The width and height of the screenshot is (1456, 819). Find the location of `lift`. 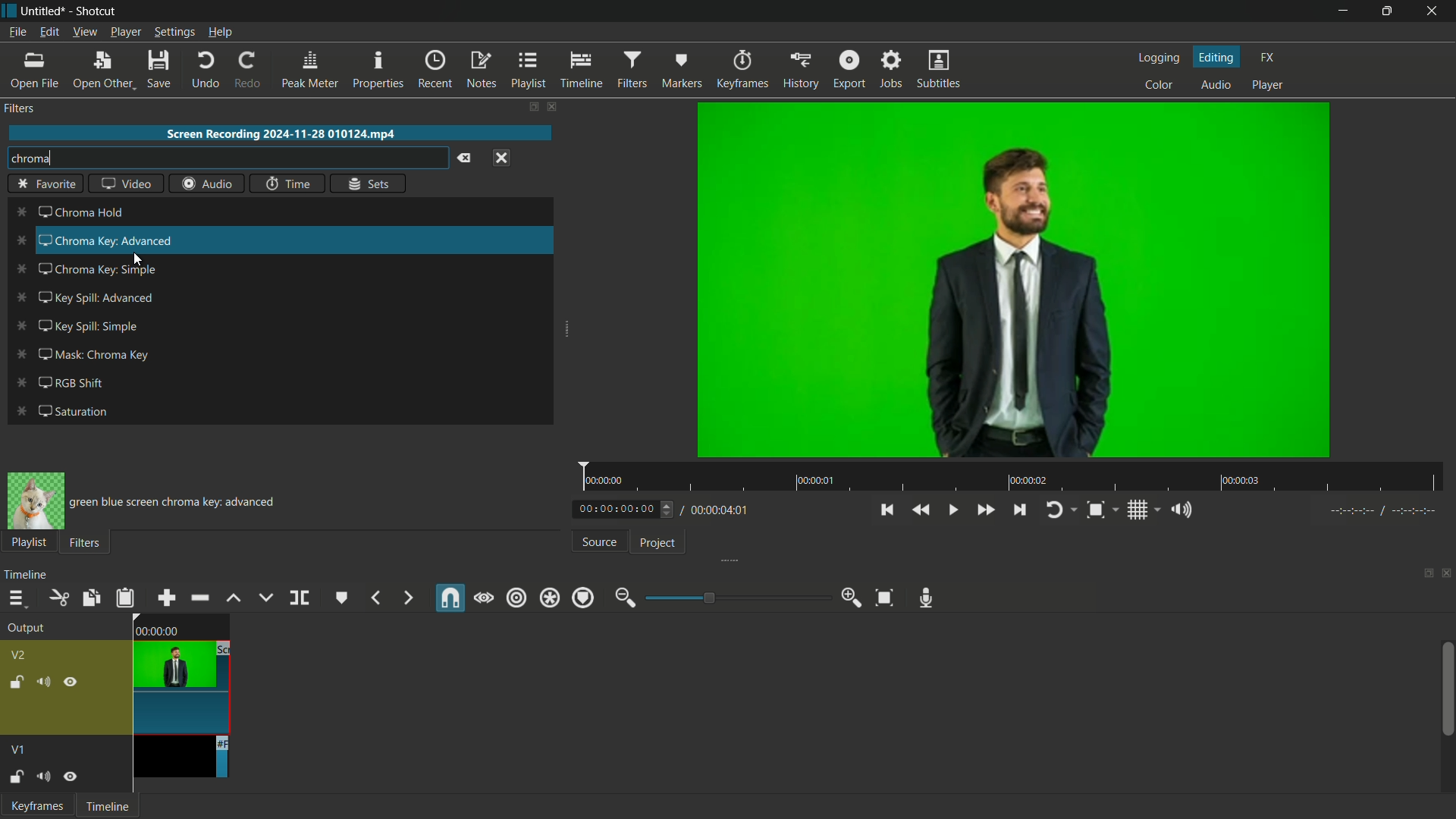

lift is located at coordinates (235, 598).